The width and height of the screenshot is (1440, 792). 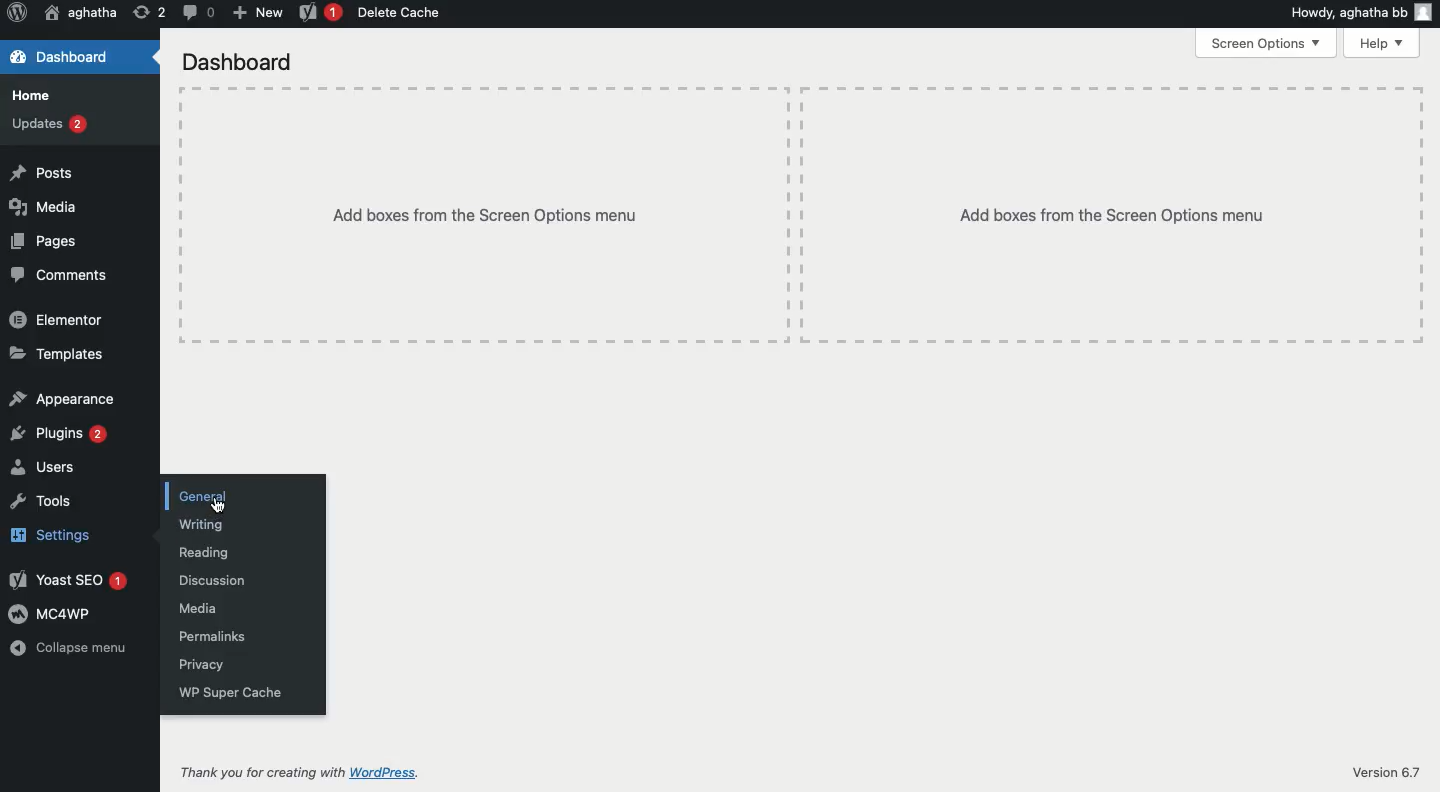 I want to click on Delete cache, so click(x=396, y=12).